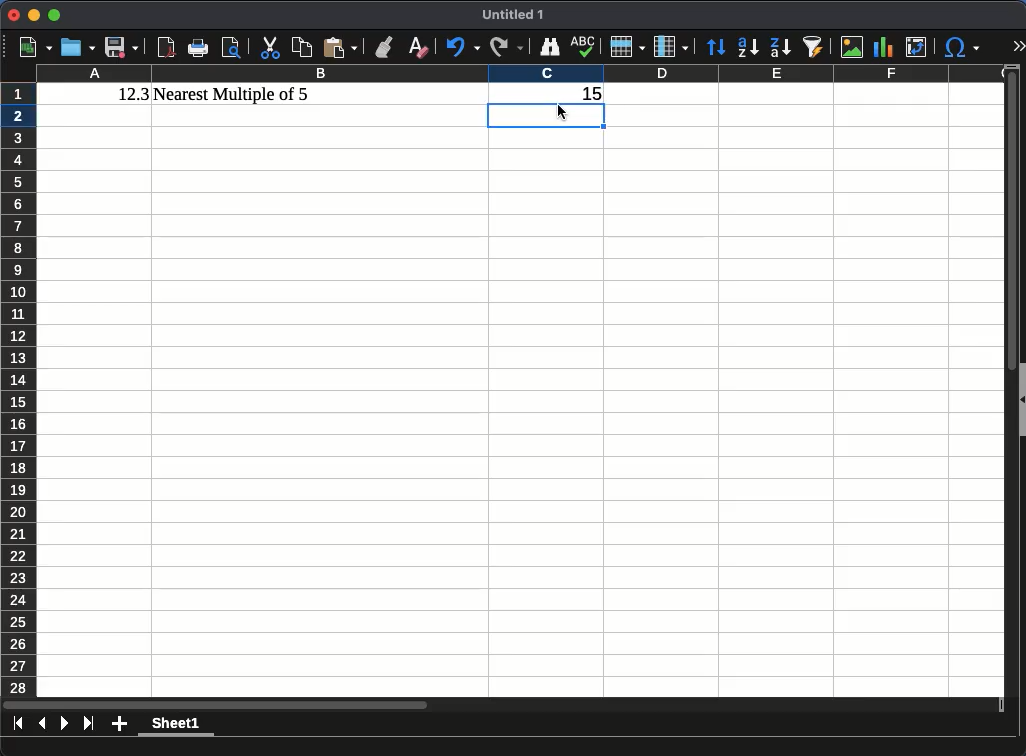 The width and height of the screenshot is (1026, 756). I want to click on column, so click(669, 47).